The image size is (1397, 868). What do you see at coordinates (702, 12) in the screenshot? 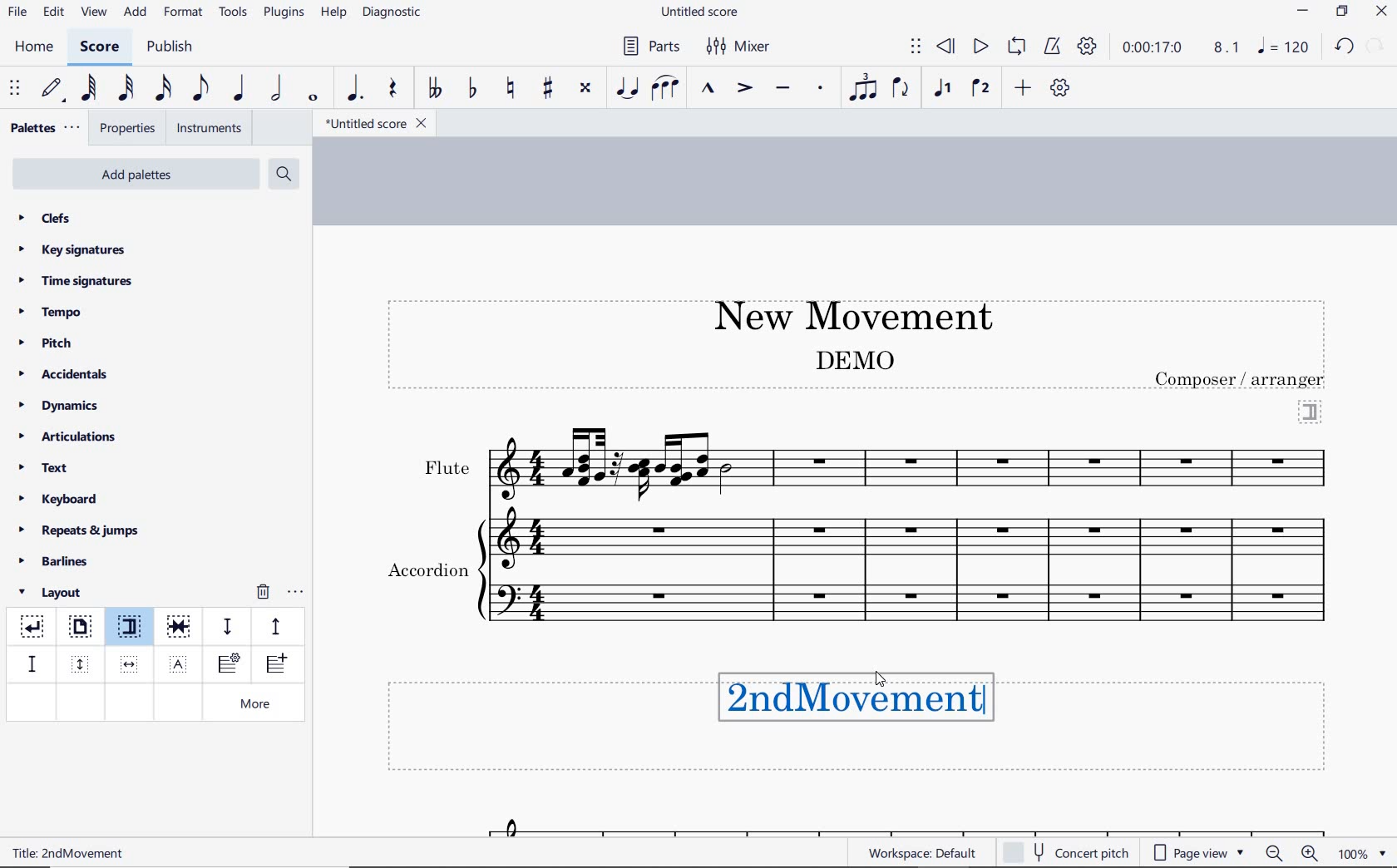
I see `file name` at bounding box center [702, 12].